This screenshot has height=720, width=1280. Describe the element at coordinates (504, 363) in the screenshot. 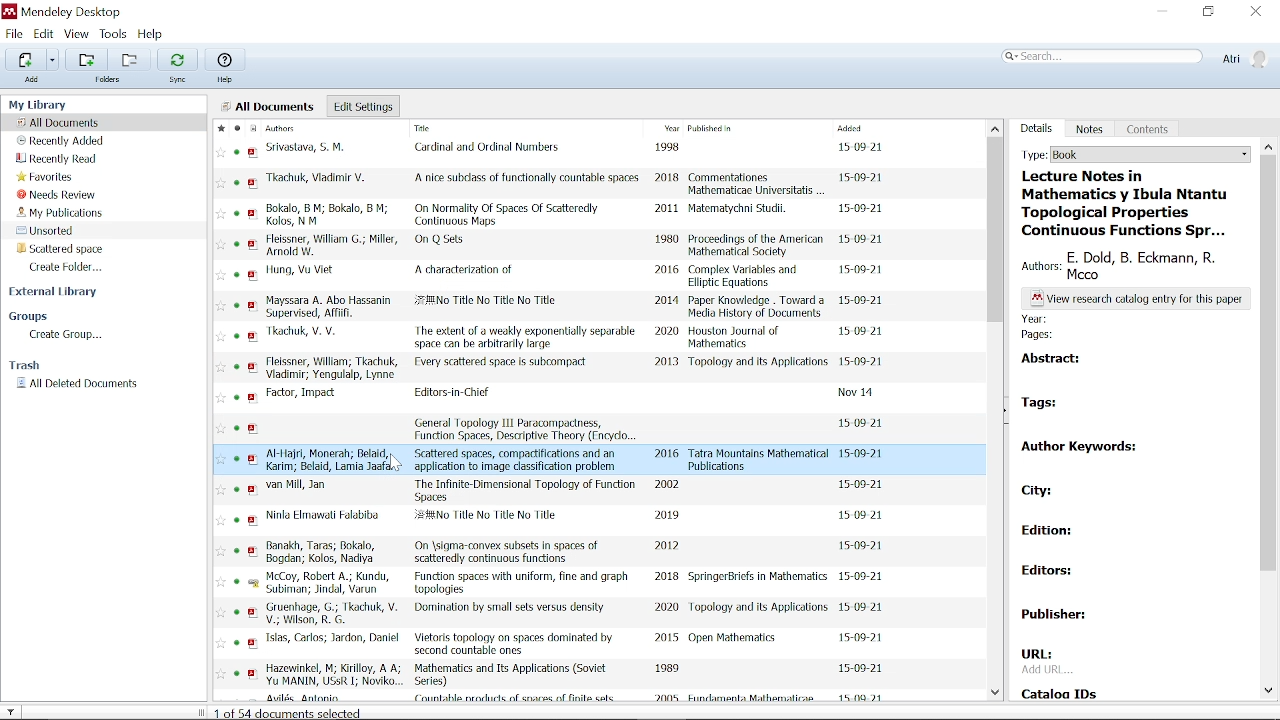

I see `title` at that location.